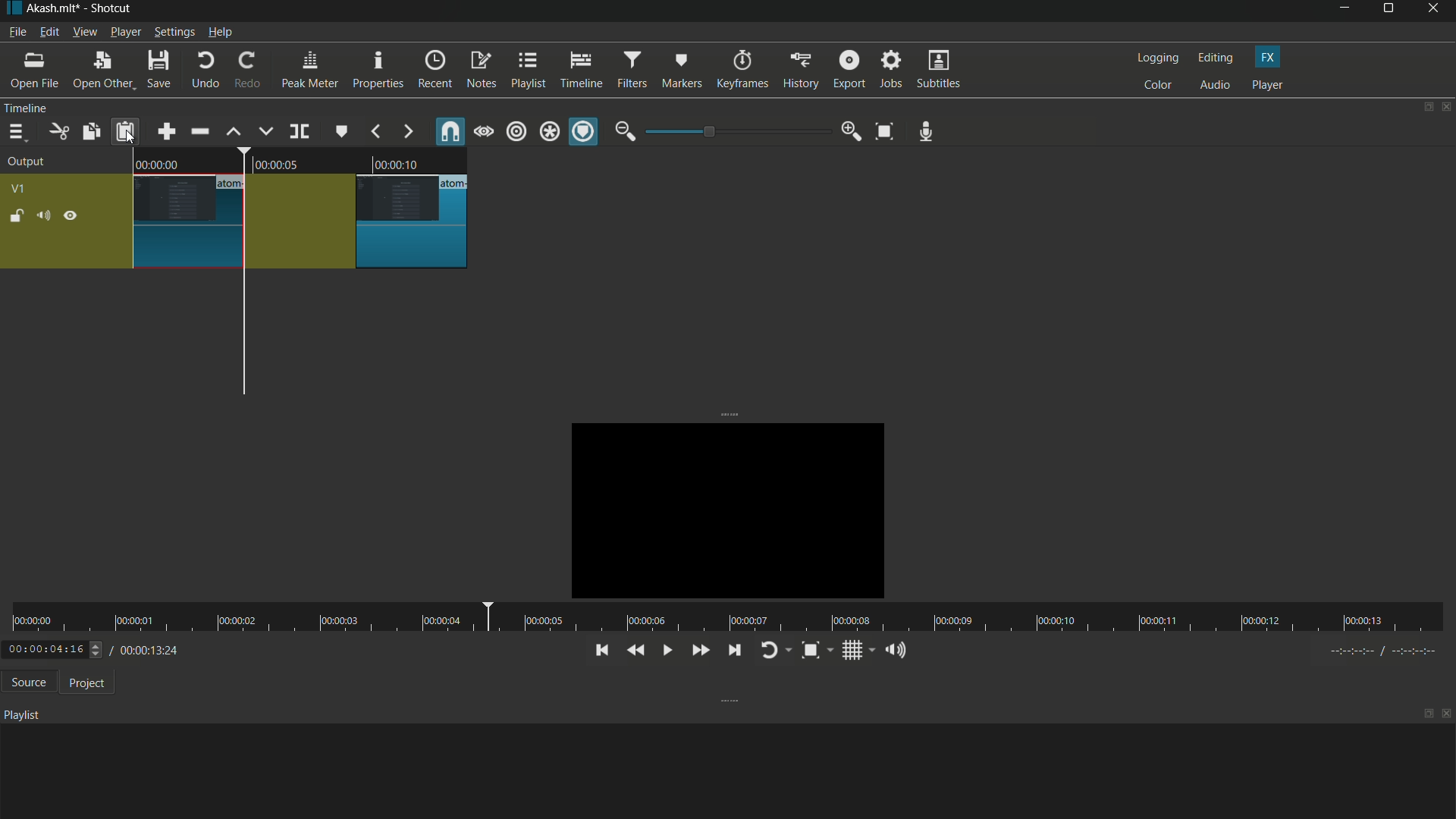 This screenshot has height=819, width=1456. Describe the element at coordinates (70, 216) in the screenshot. I see `hide` at that location.